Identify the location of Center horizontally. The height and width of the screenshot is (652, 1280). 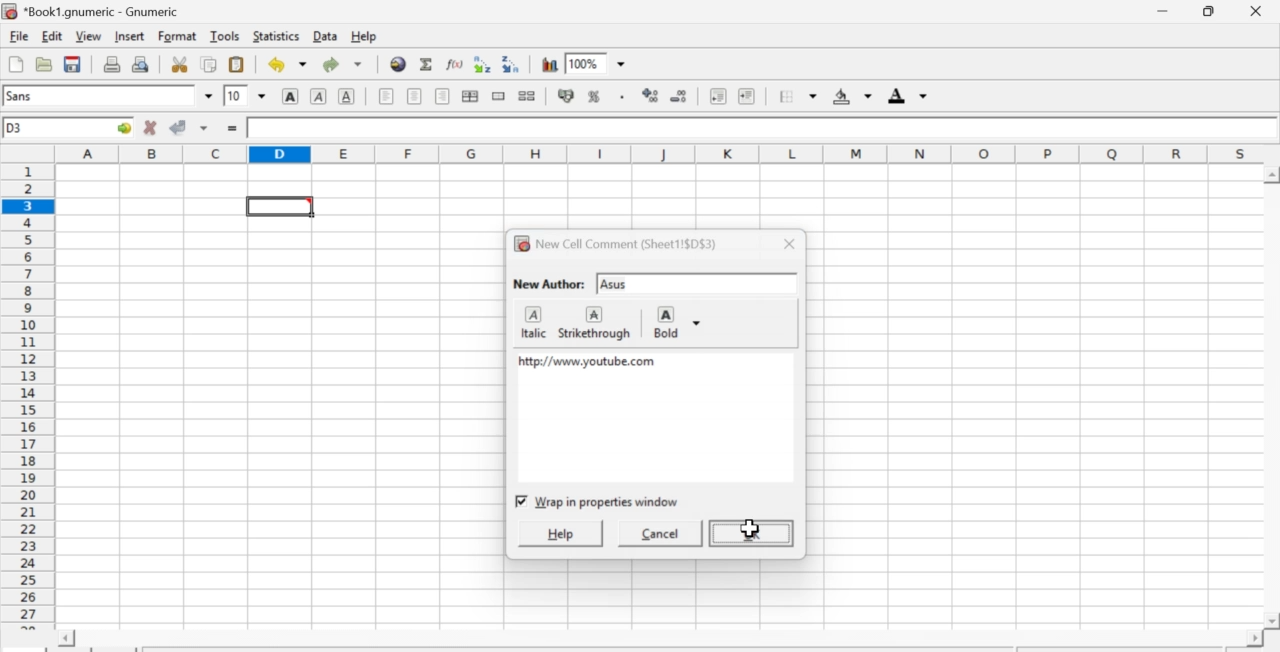
(413, 95).